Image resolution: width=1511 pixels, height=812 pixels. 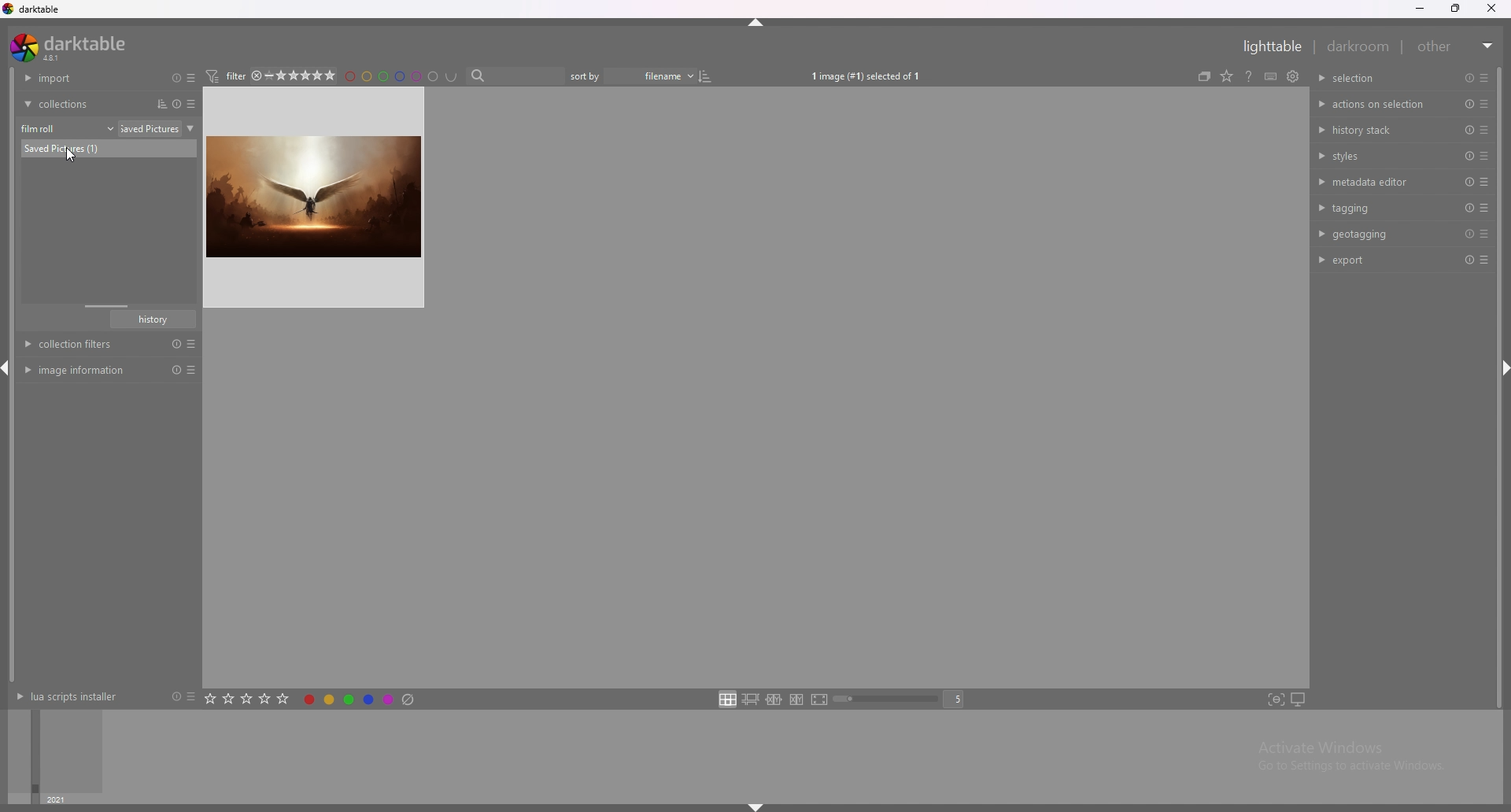 What do you see at coordinates (888, 700) in the screenshot?
I see `zoom bar` at bounding box center [888, 700].